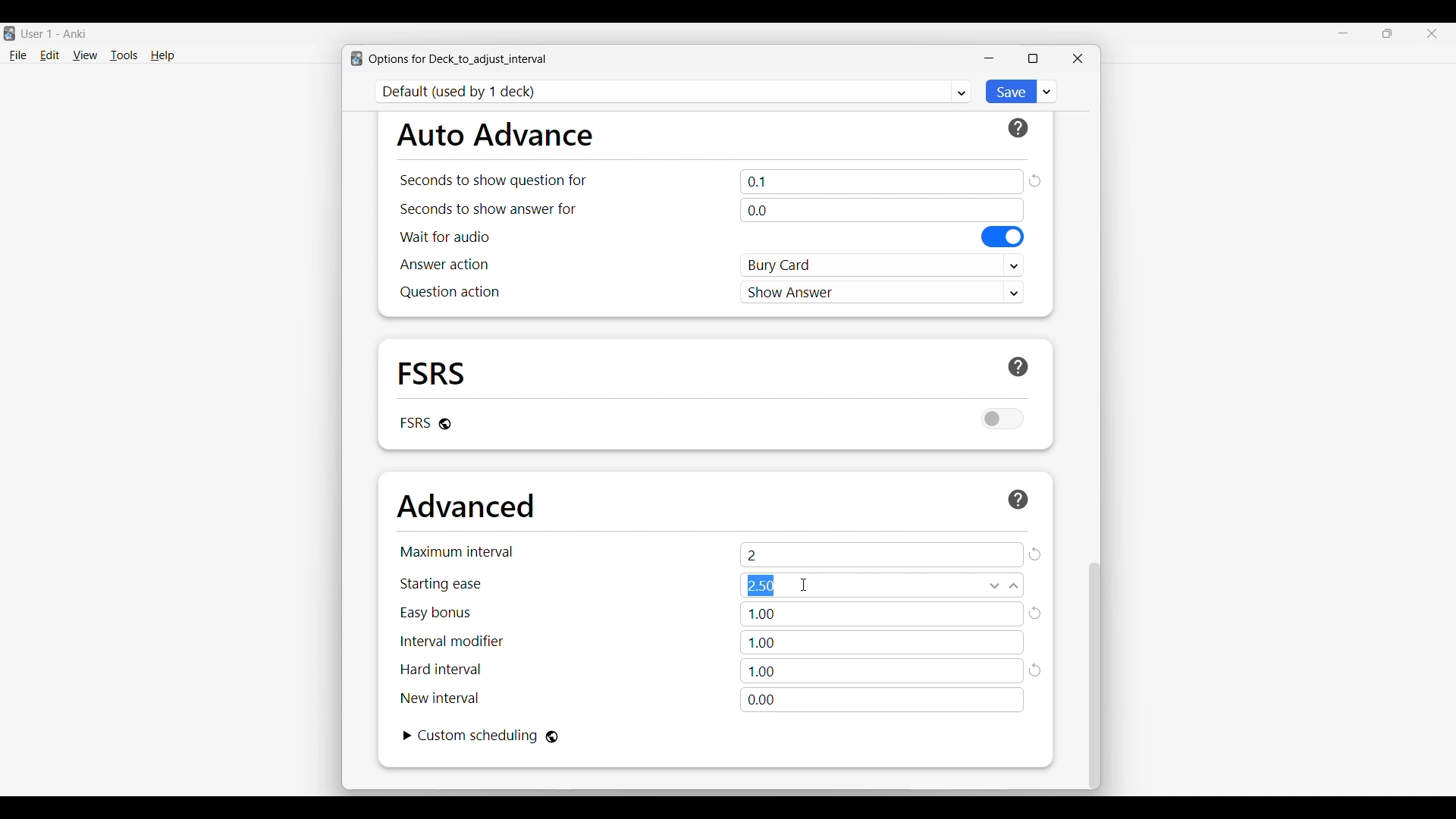 The image size is (1456, 819). Describe the element at coordinates (1009, 92) in the screenshot. I see `Click to save` at that location.